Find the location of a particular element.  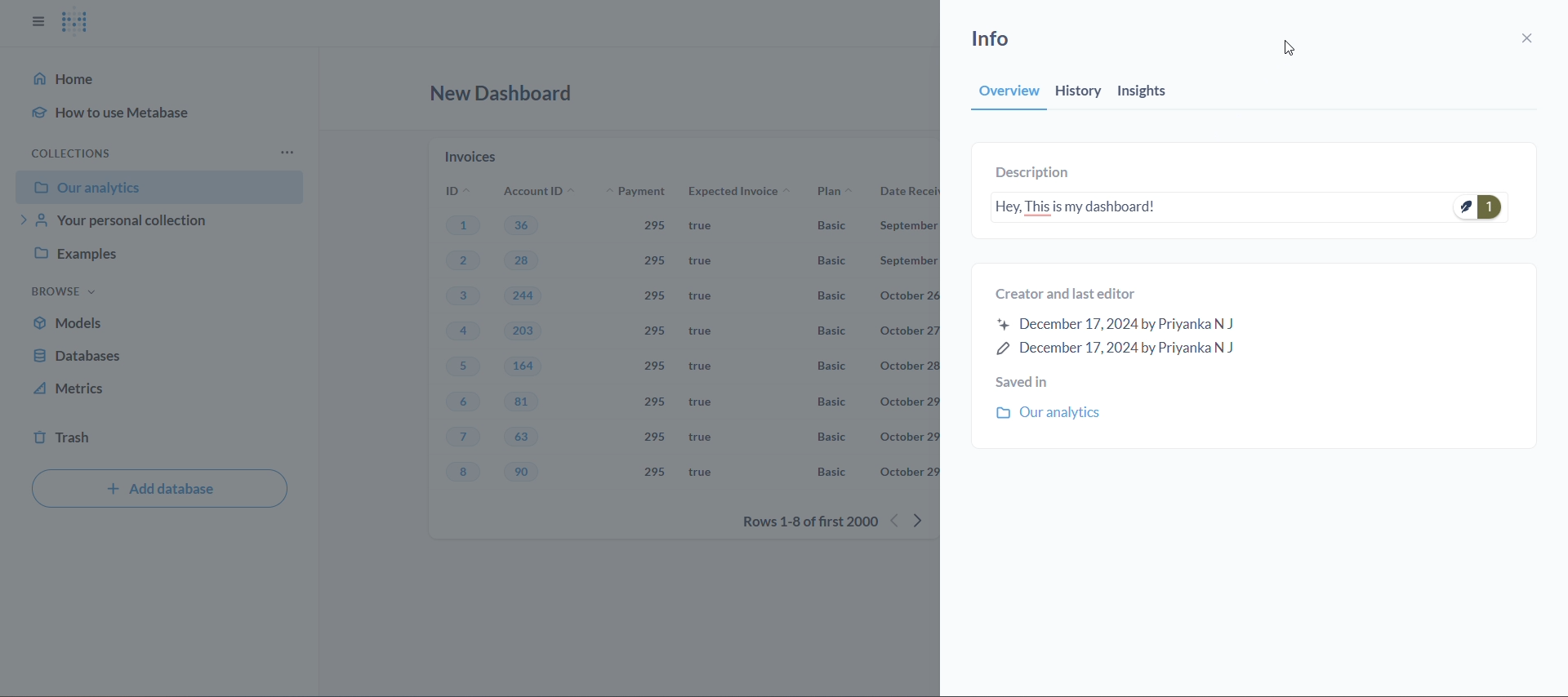

3 is located at coordinates (460, 297).